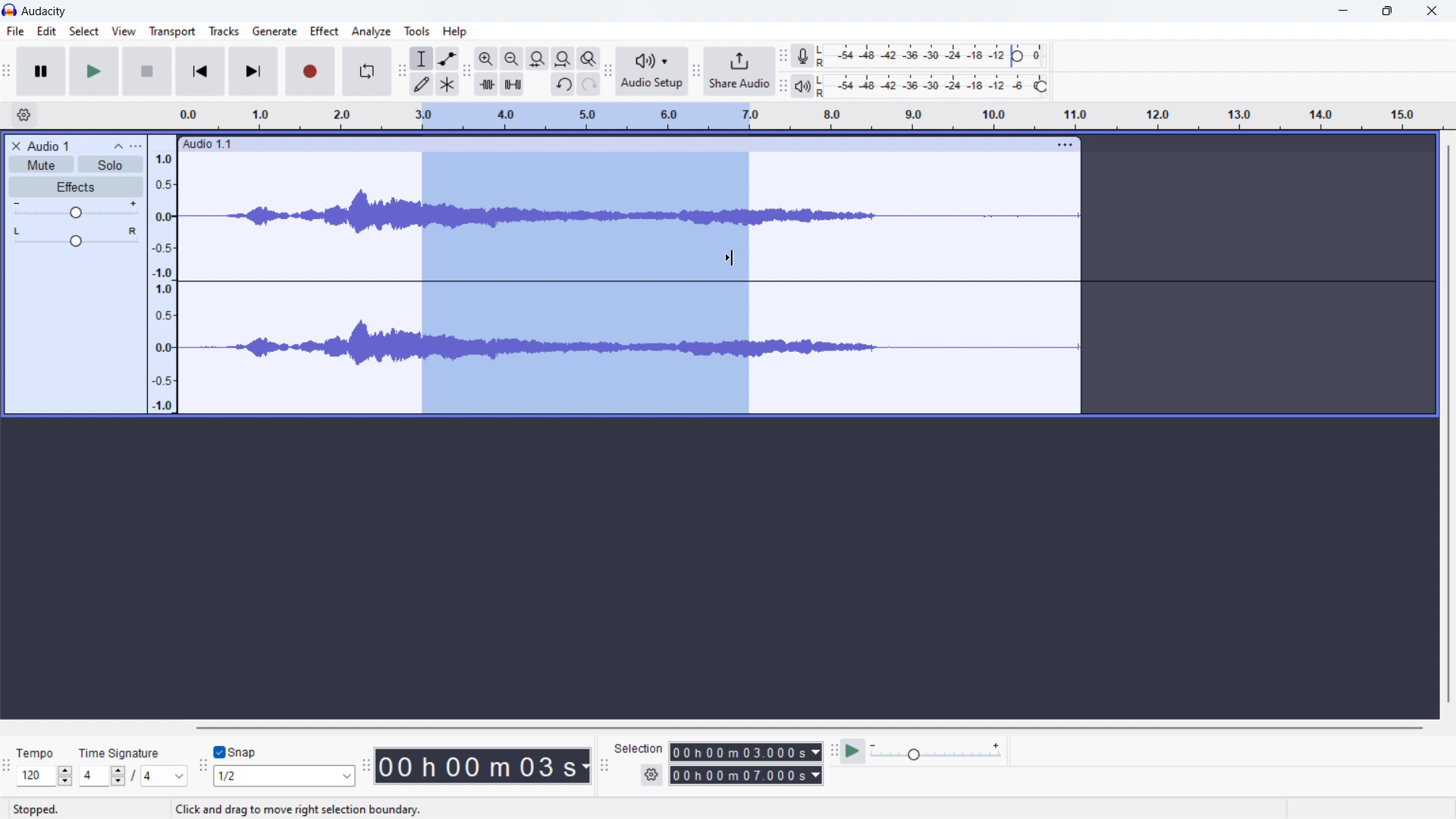 This screenshot has width=1456, height=819. Describe the element at coordinates (224, 31) in the screenshot. I see `tracks` at that location.